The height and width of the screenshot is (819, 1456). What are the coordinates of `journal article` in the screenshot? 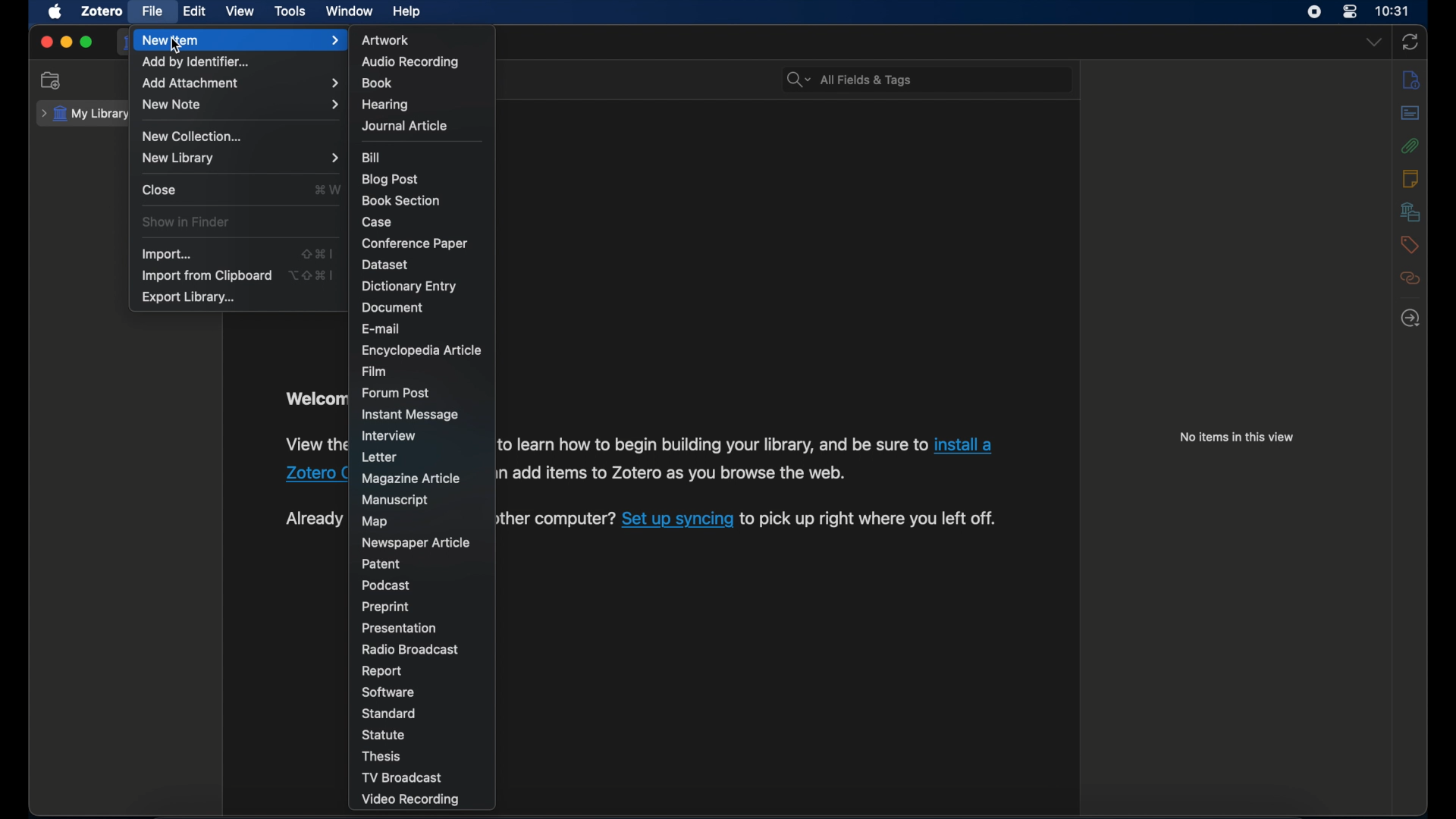 It's located at (403, 126).